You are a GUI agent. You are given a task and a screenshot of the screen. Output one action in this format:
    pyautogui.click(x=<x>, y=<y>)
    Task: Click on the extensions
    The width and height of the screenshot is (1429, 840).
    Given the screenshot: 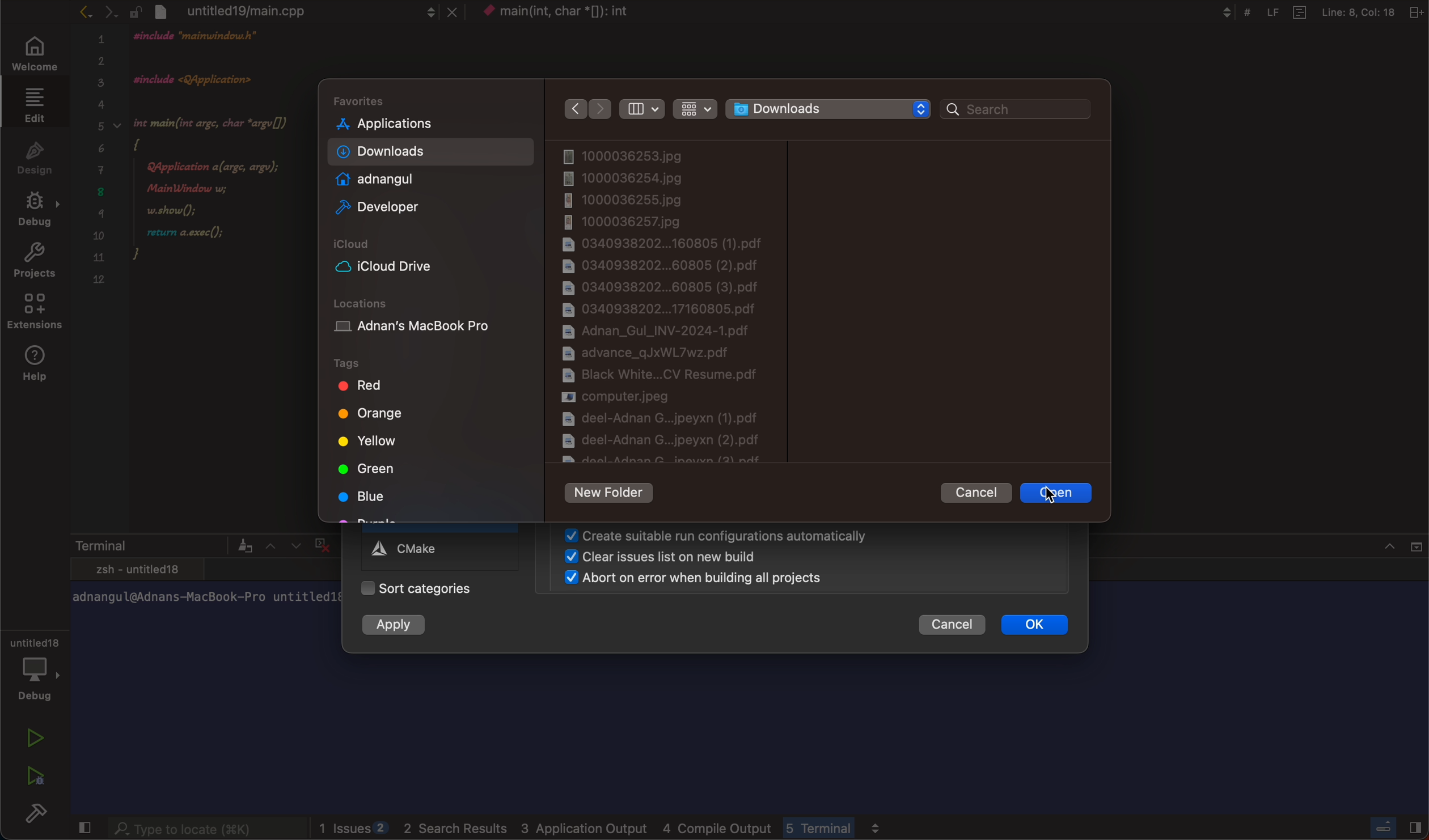 What is the action you would take?
    pyautogui.click(x=33, y=310)
    